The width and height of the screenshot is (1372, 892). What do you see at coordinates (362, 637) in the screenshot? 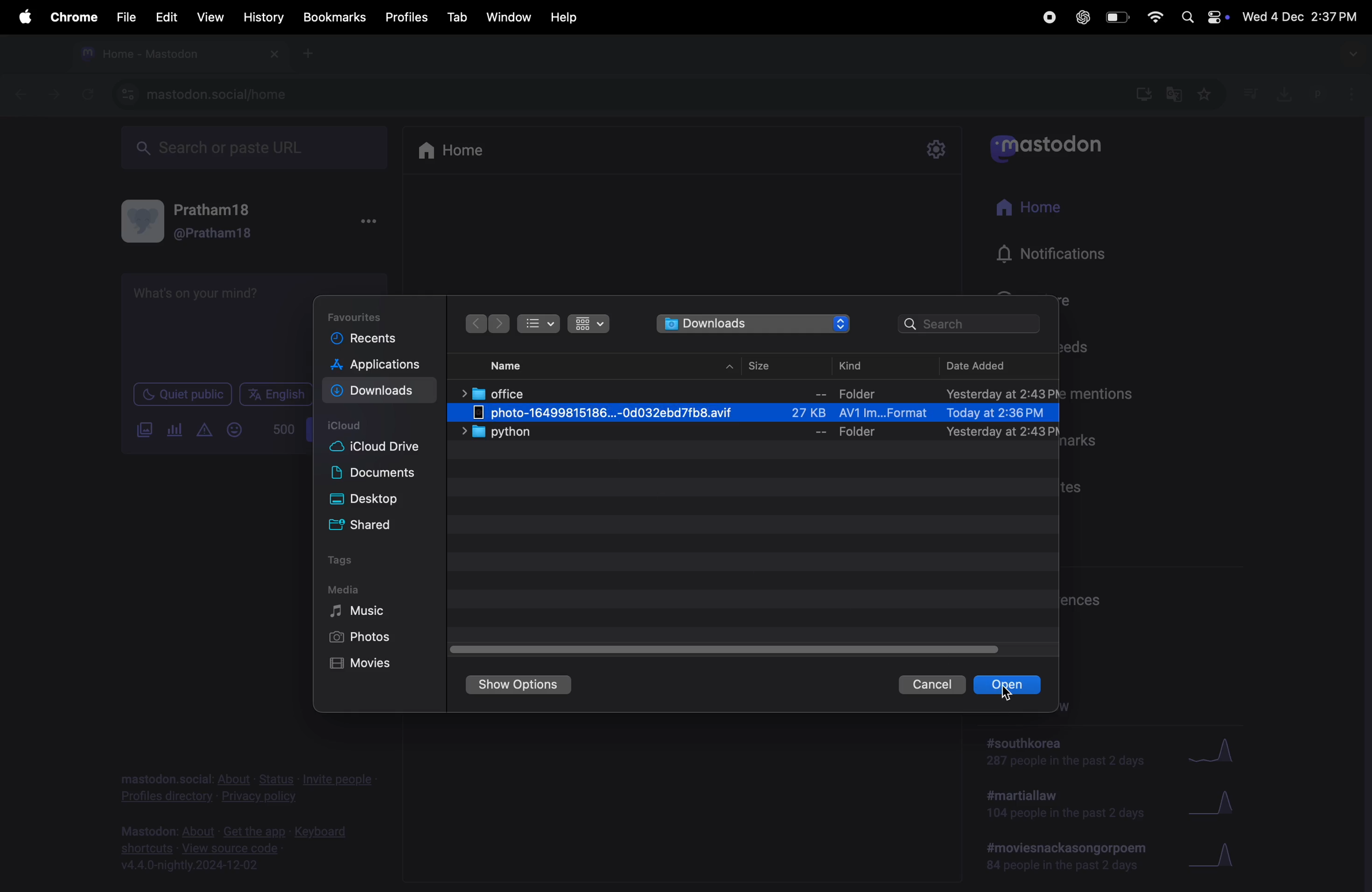
I see `photos` at bounding box center [362, 637].